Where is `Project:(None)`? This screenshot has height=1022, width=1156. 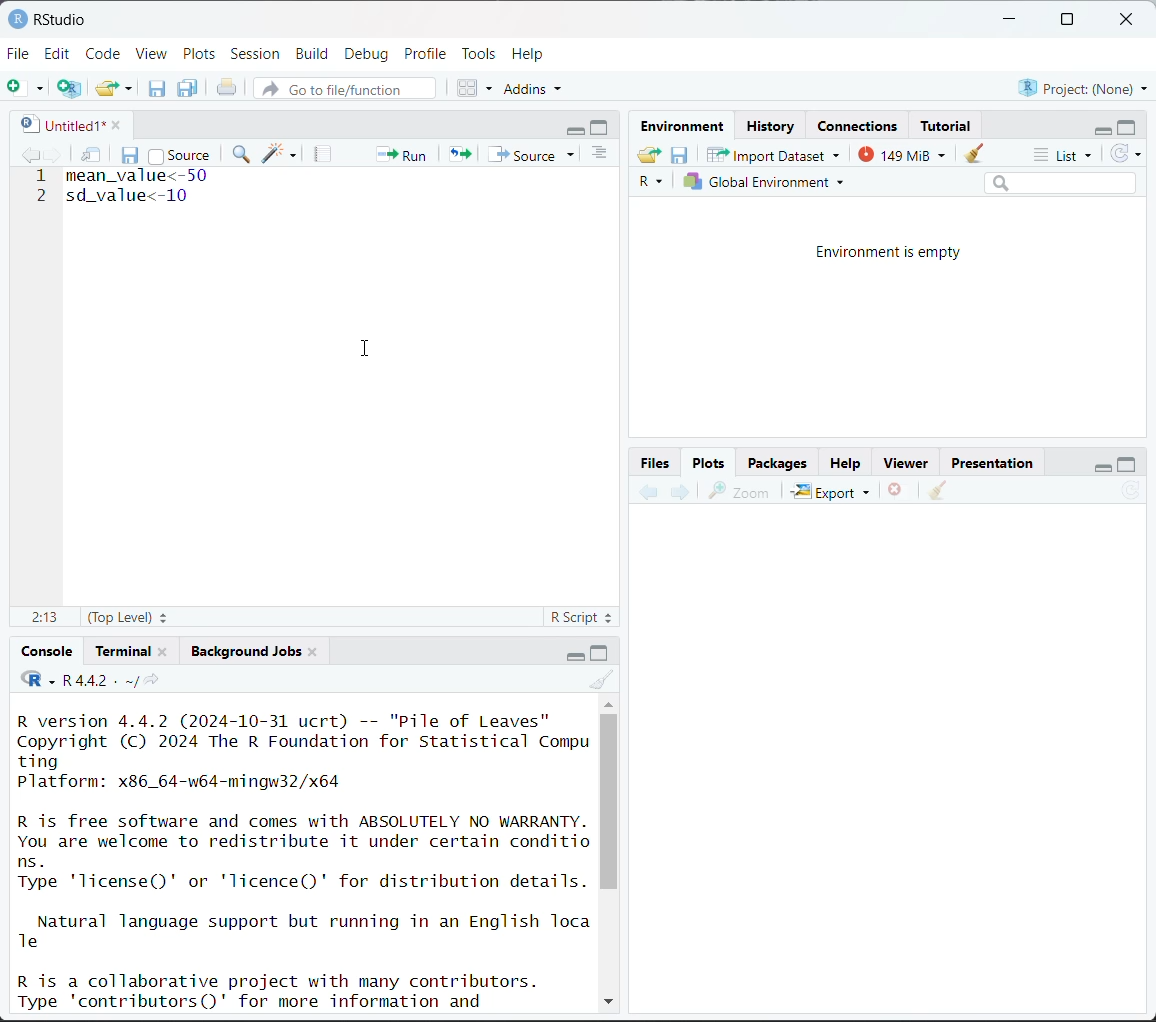 Project:(None) is located at coordinates (1082, 86).